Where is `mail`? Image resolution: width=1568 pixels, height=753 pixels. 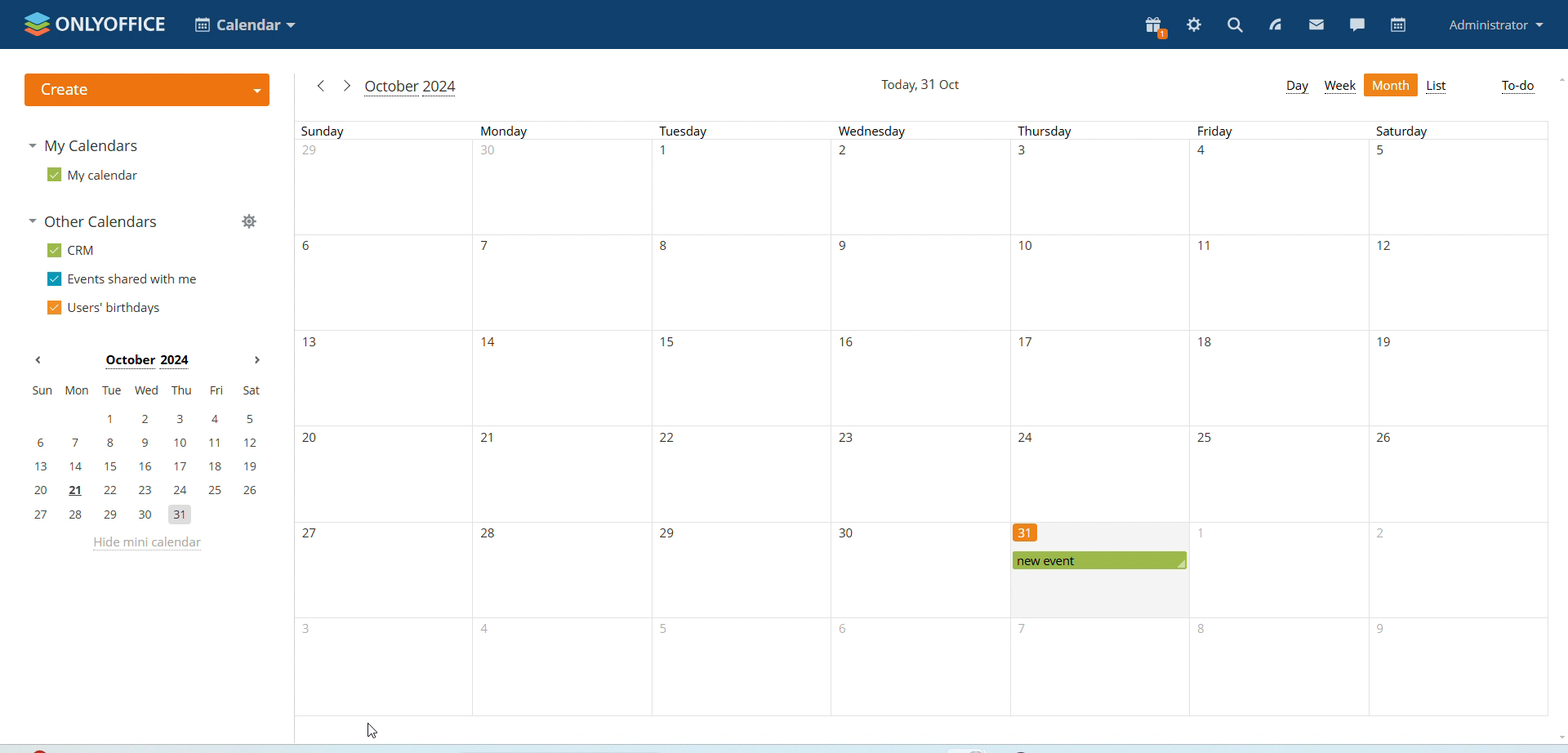
mail is located at coordinates (1317, 25).